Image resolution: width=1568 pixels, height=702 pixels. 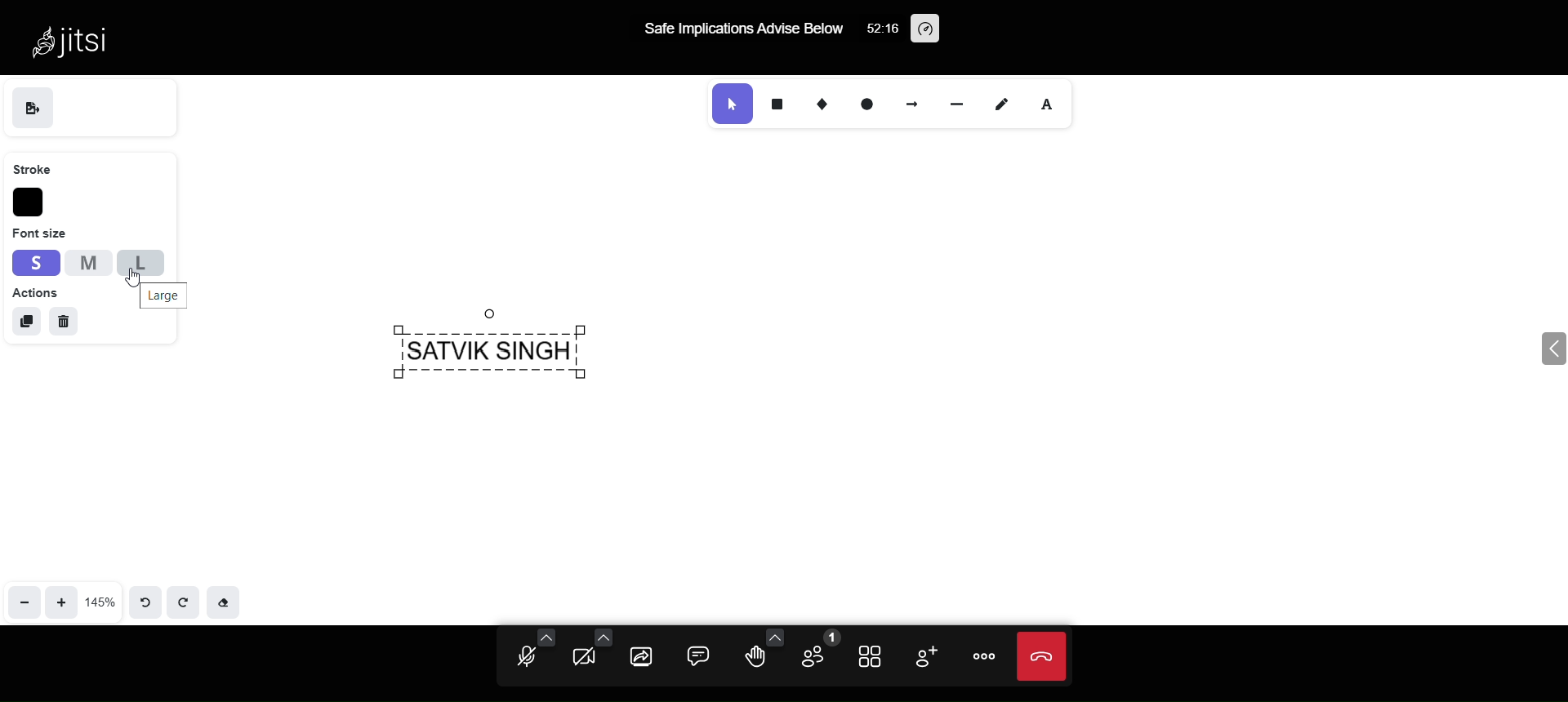 What do you see at coordinates (36, 292) in the screenshot?
I see `actions` at bounding box center [36, 292].